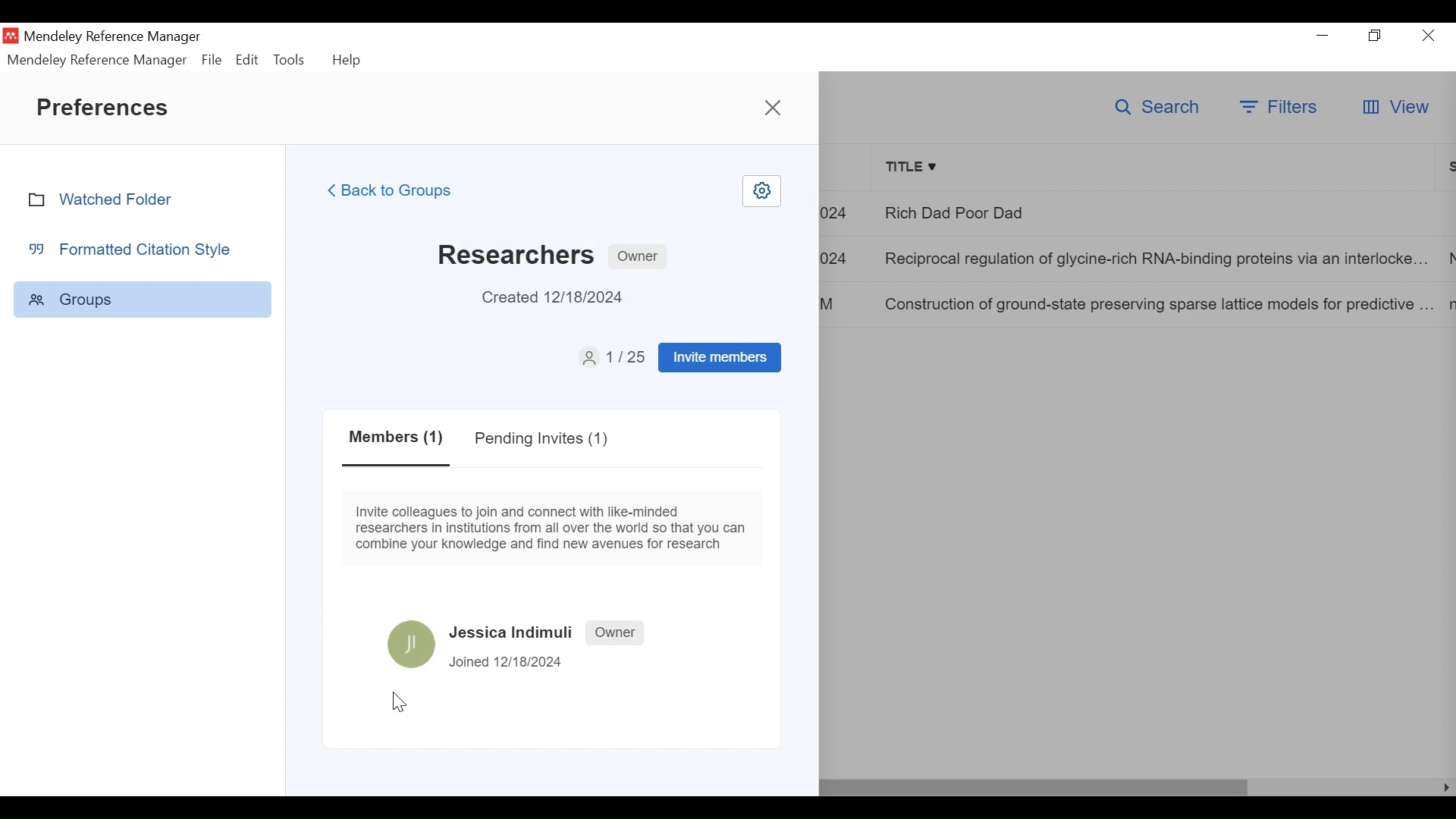  Describe the element at coordinates (397, 441) in the screenshot. I see `Members(1)` at that location.